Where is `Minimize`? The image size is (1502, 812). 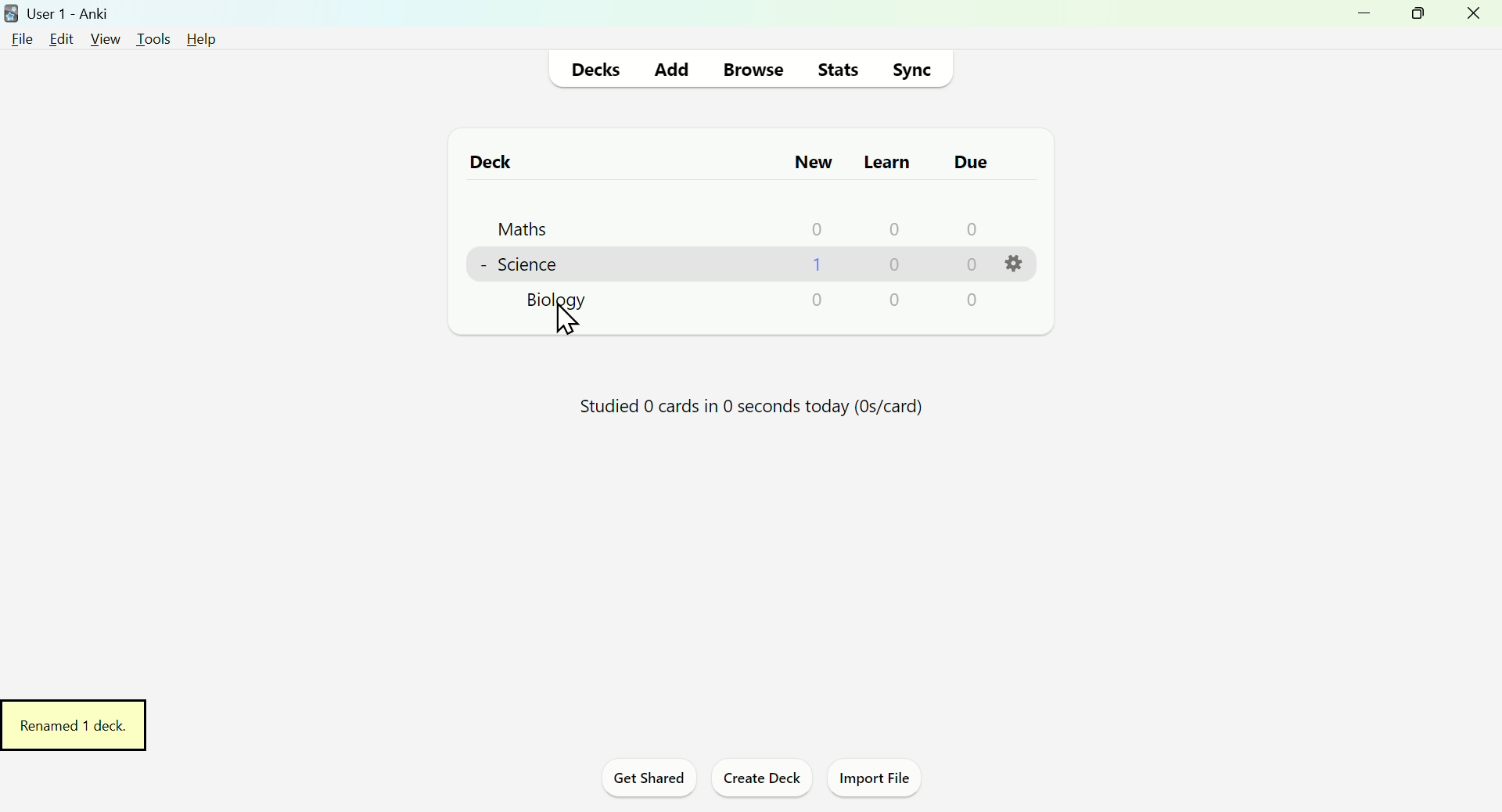
Minimize is located at coordinates (1359, 20).